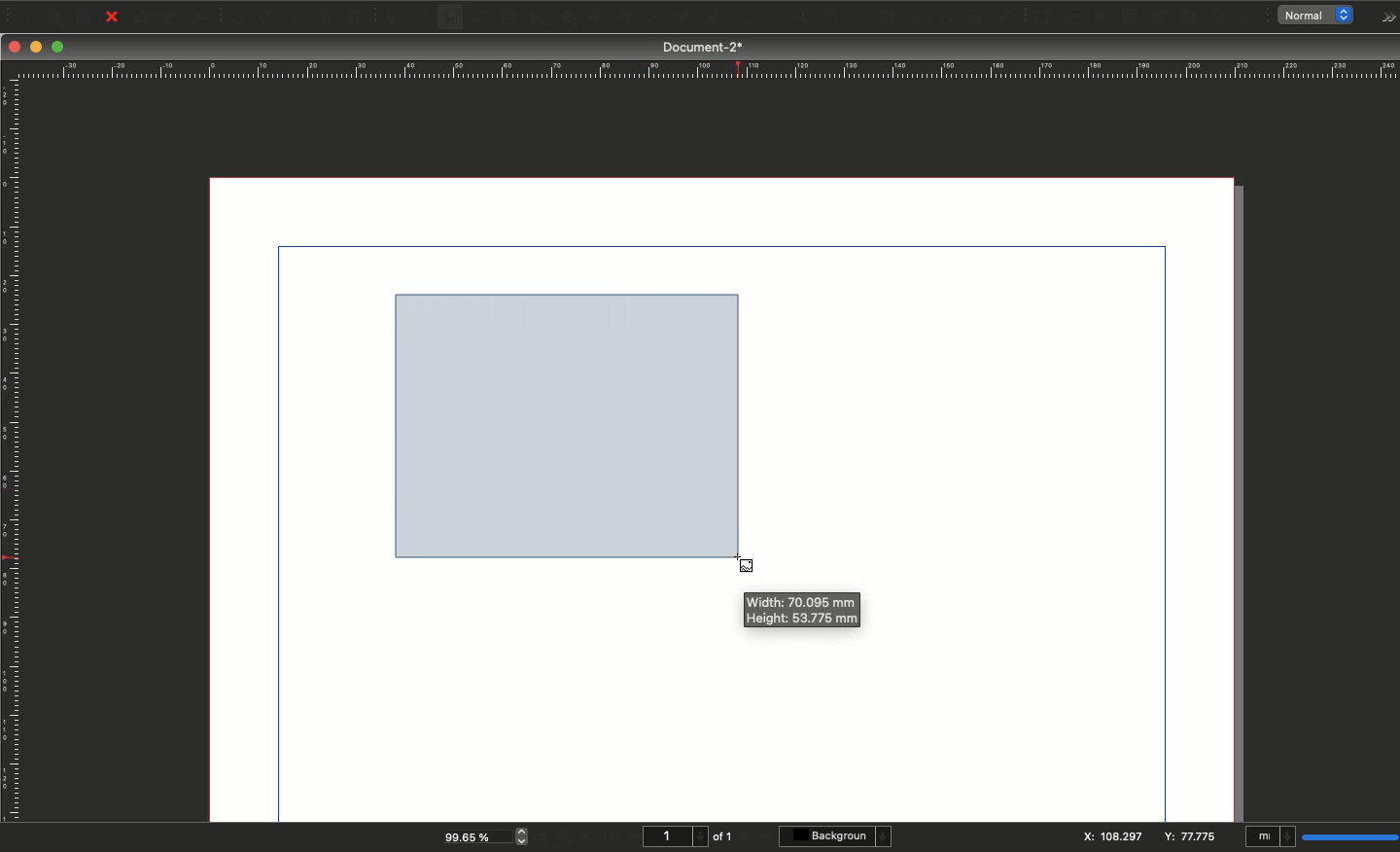  I want to click on Width: 70.095 mm height: 53.775 mm, so click(800, 612).